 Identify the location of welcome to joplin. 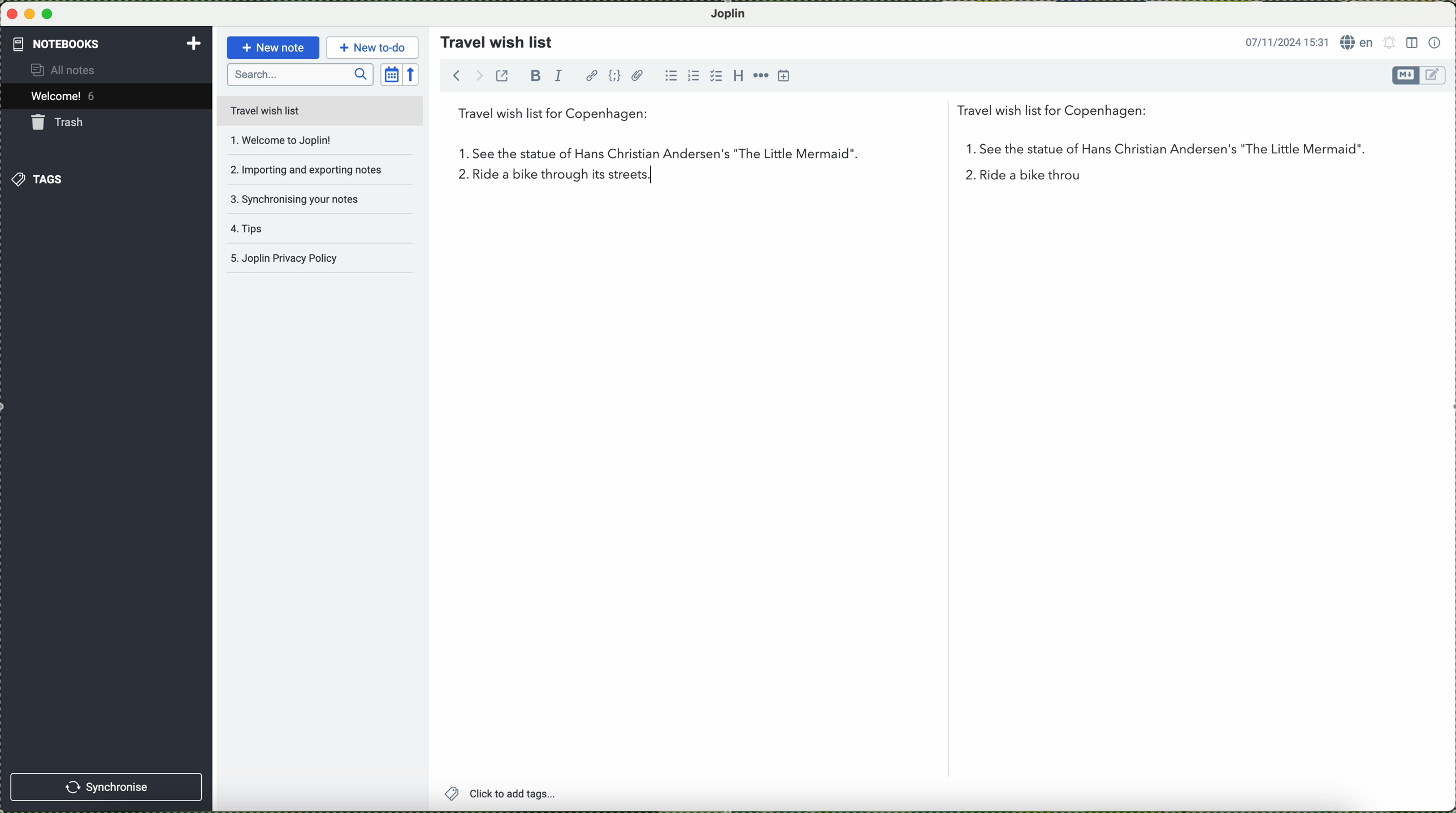
(302, 141).